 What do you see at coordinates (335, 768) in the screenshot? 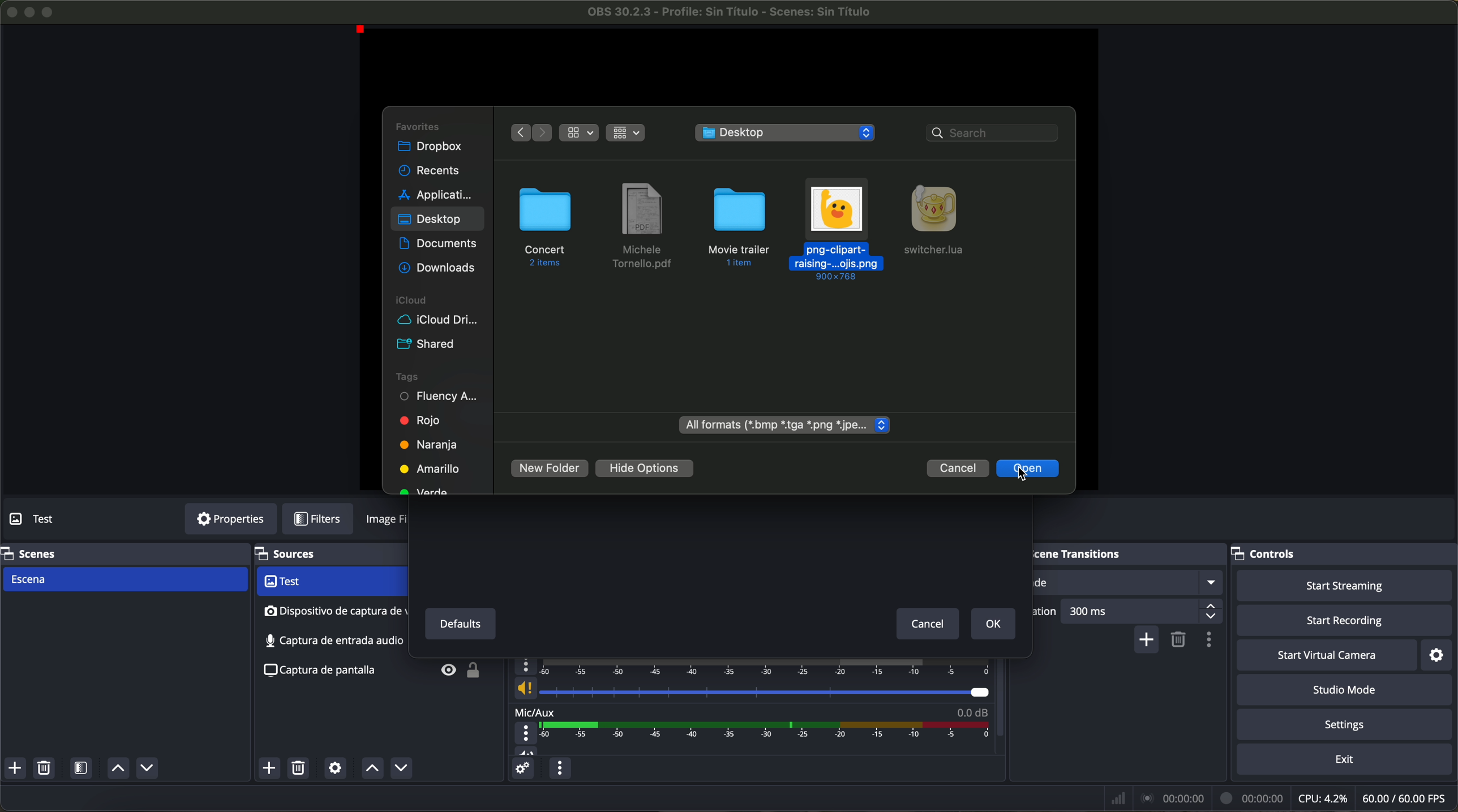
I see `open source properties` at bounding box center [335, 768].